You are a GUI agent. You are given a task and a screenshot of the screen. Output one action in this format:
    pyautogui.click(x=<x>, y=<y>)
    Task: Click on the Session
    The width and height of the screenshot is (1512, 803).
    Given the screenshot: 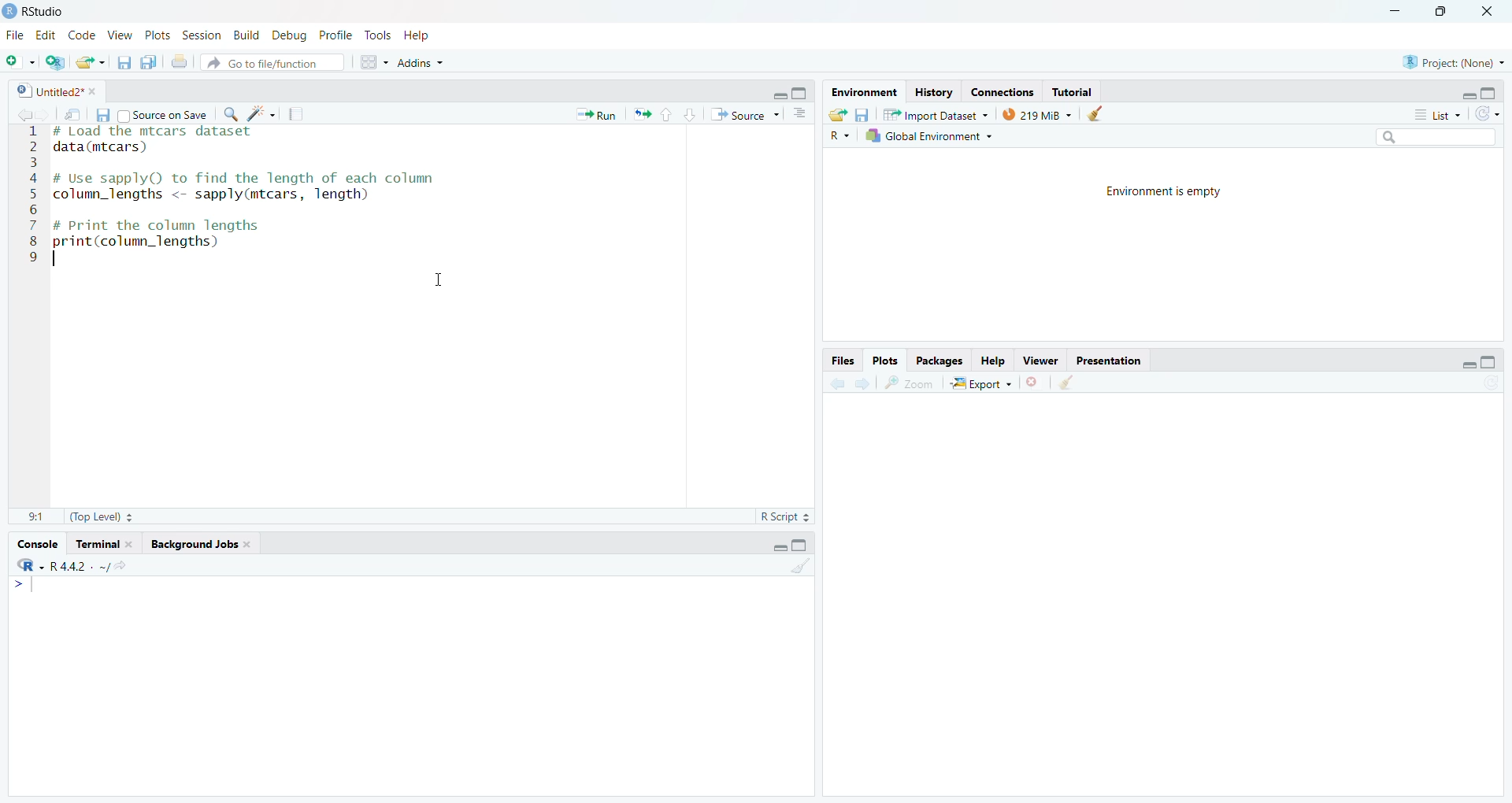 What is the action you would take?
    pyautogui.click(x=202, y=35)
    